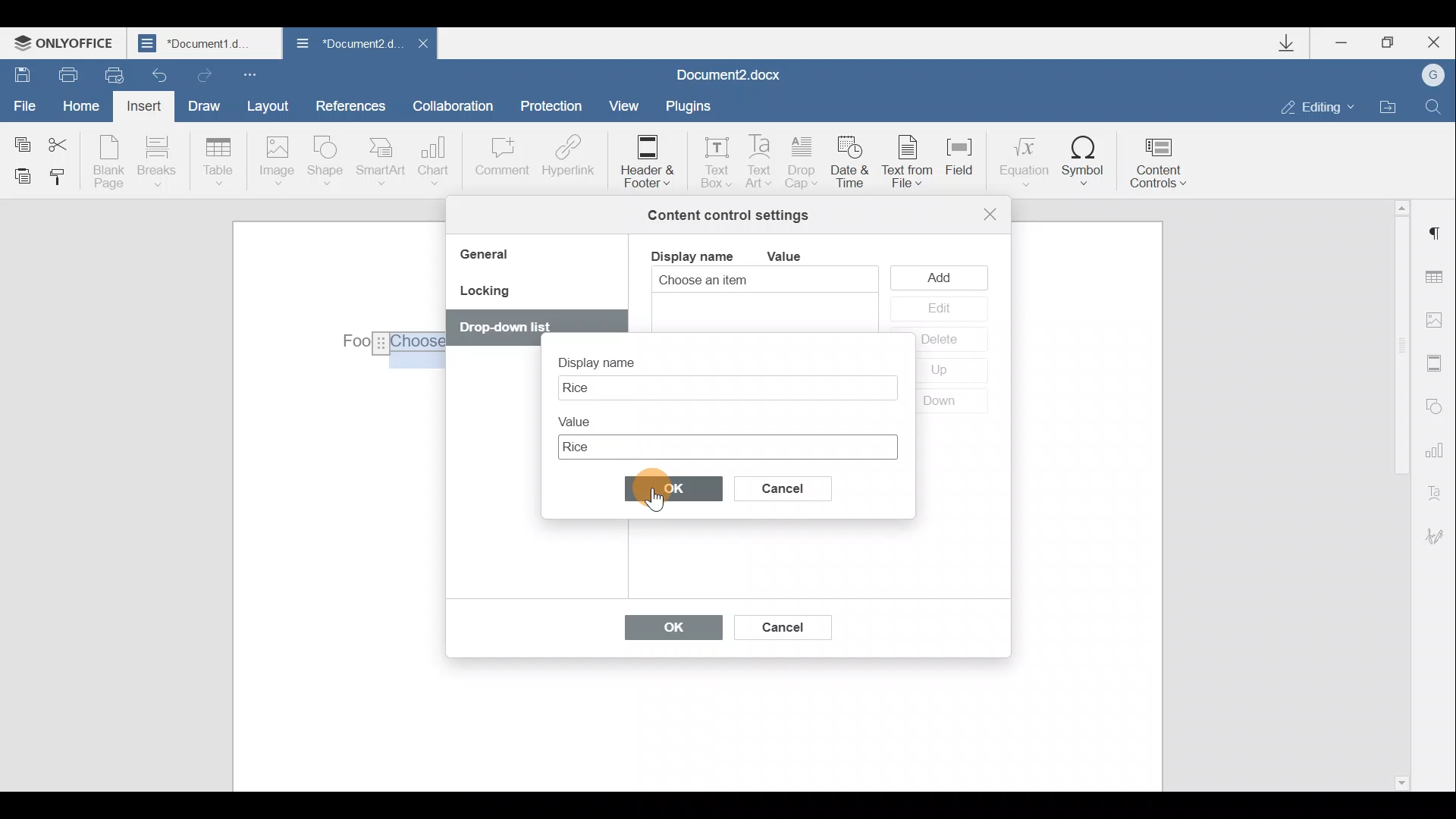 The width and height of the screenshot is (1456, 819). Describe the element at coordinates (740, 281) in the screenshot. I see `Choose an item` at that location.